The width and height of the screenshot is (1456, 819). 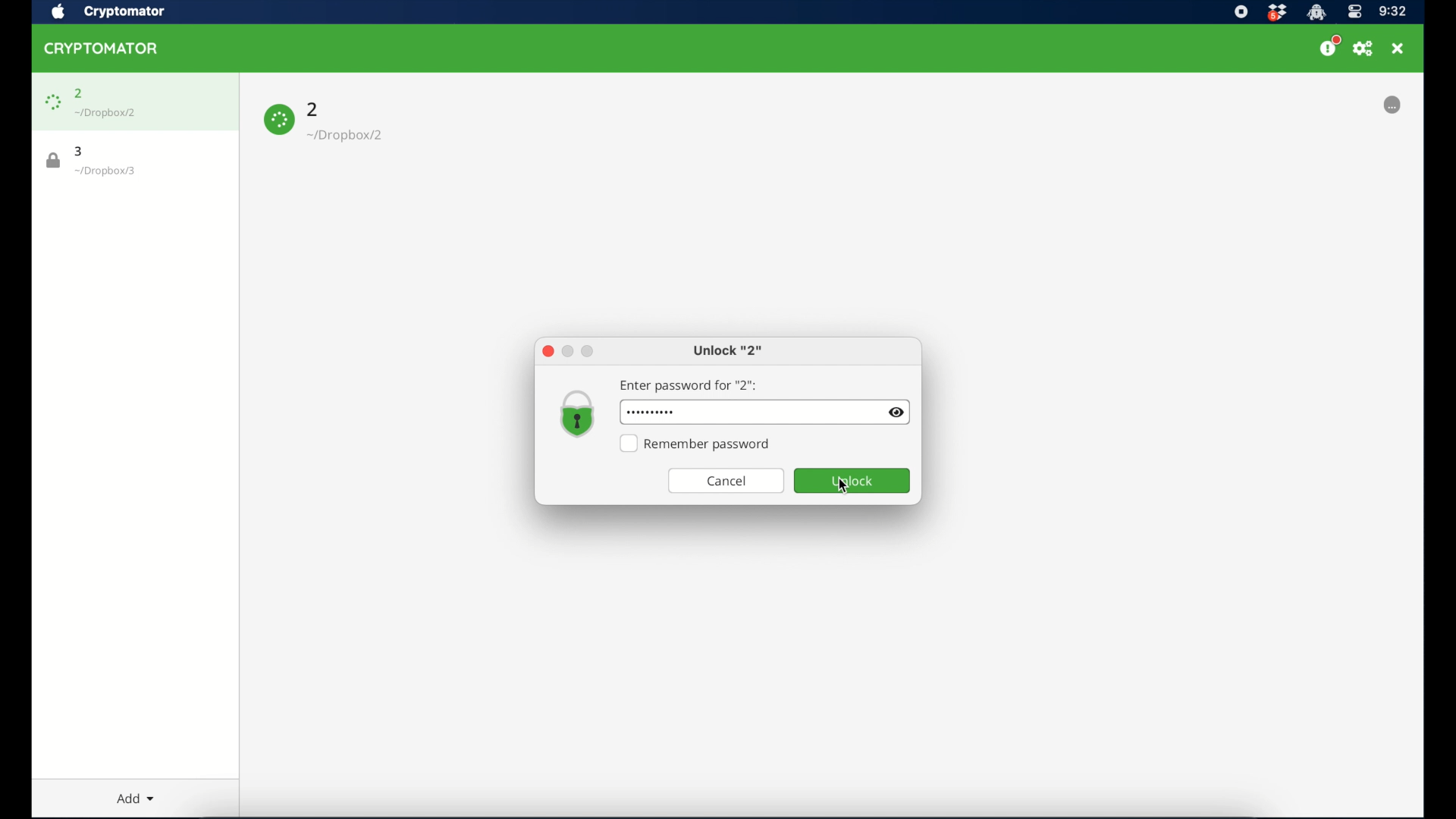 I want to click on locked, so click(x=1376, y=105).